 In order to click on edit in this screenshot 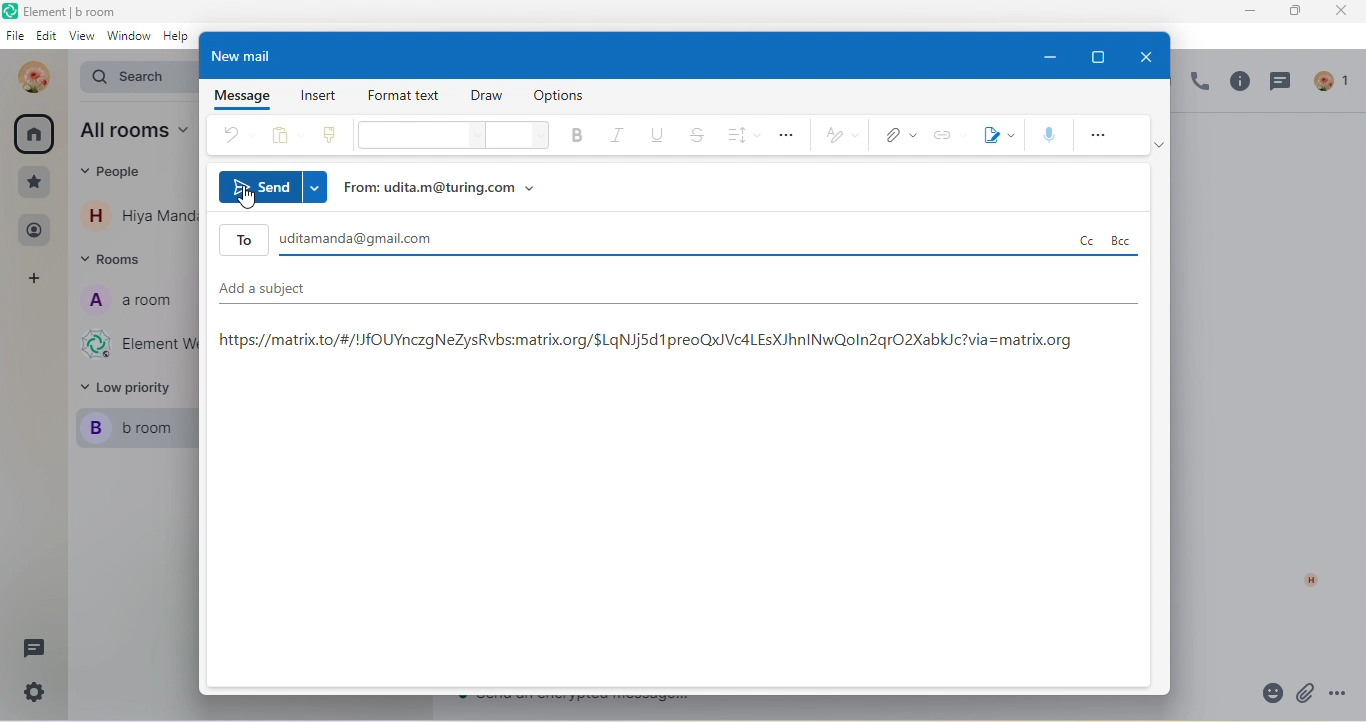, I will do `click(47, 38)`.